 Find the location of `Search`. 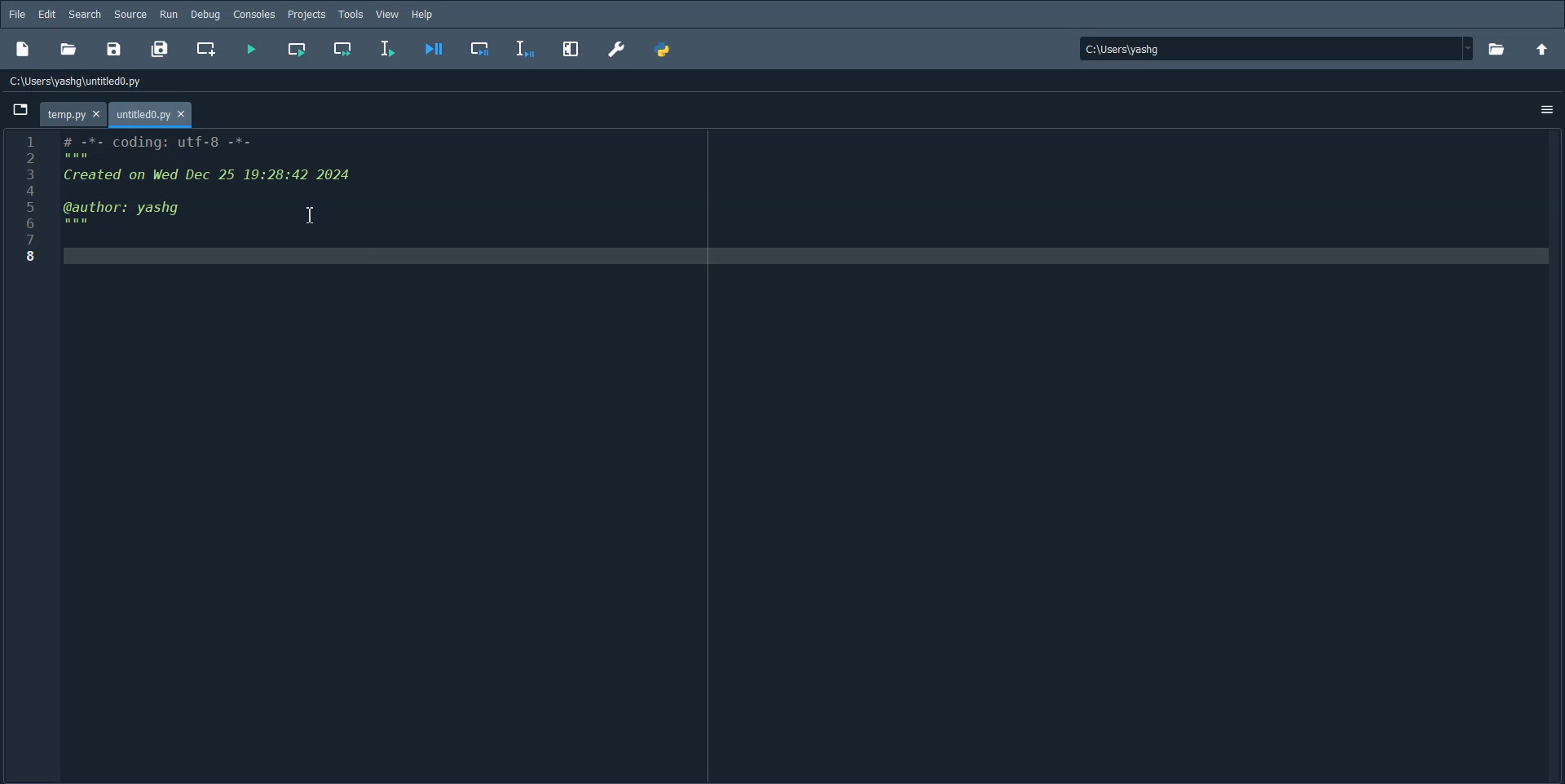

Search is located at coordinates (86, 14).